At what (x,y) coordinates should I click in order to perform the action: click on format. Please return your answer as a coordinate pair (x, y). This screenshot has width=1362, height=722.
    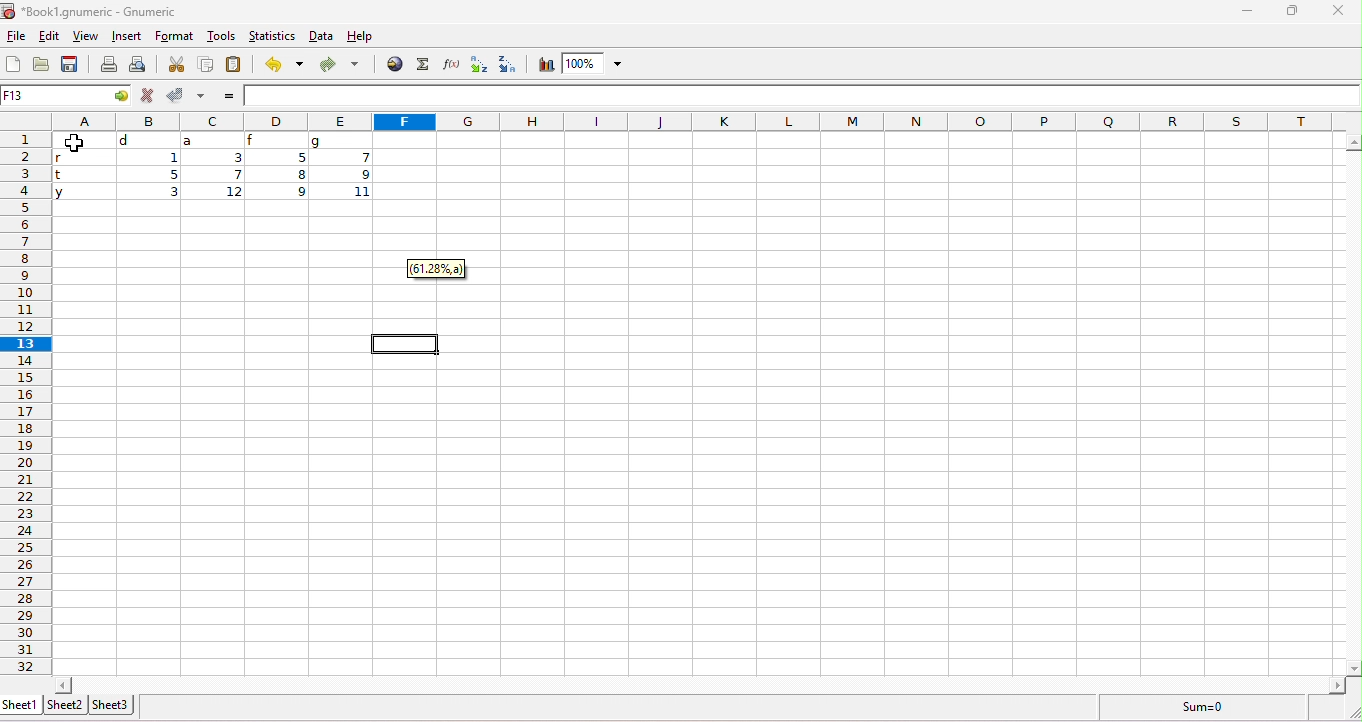
    Looking at the image, I should click on (175, 36).